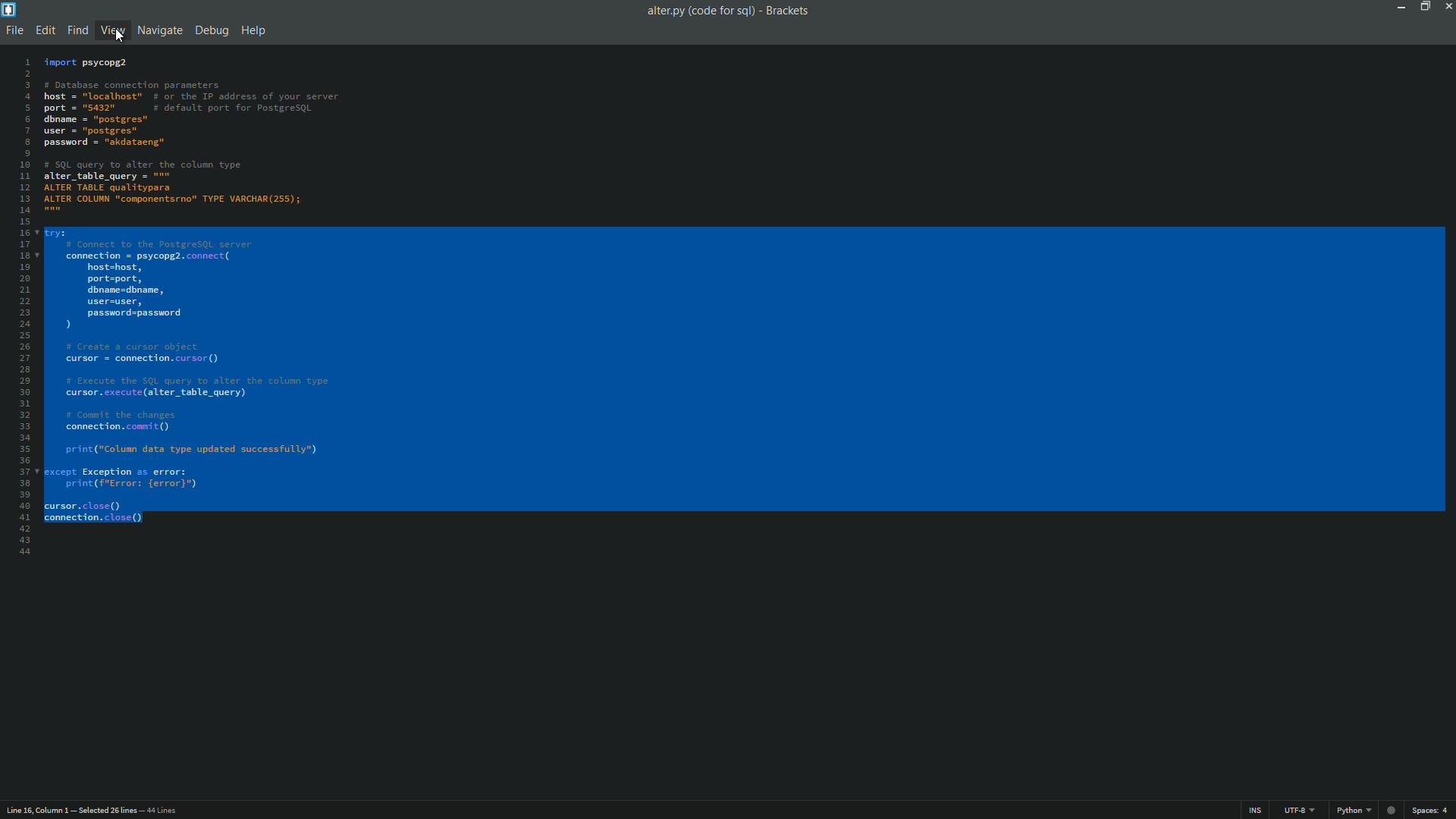 This screenshot has height=819, width=1456. Describe the element at coordinates (44, 30) in the screenshot. I see `edit menu` at that location.